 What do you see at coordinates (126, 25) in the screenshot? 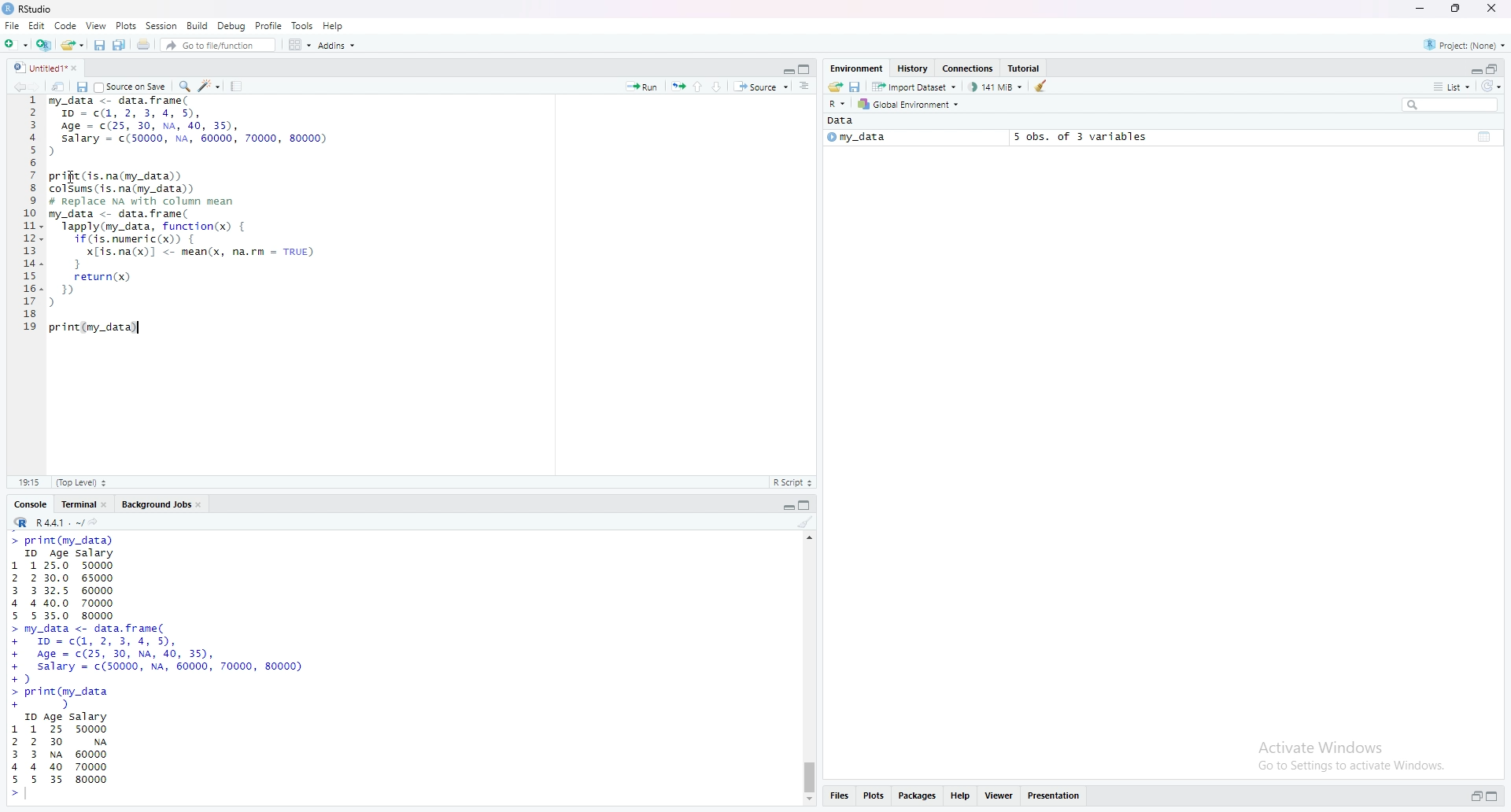
I see `Plots` at bounding box center [126, 25].